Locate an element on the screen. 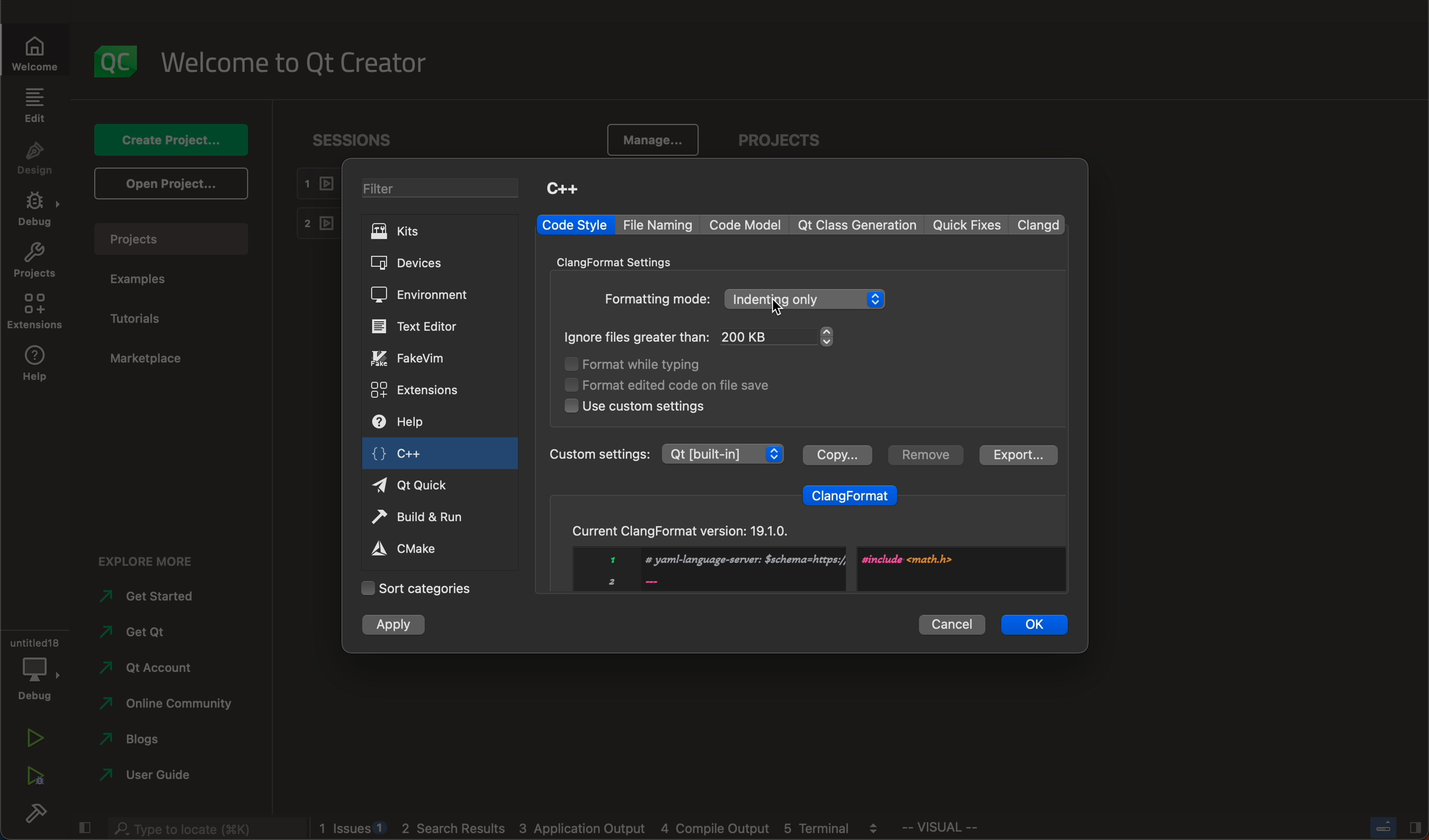  environment is located at coordinates (419, 295).